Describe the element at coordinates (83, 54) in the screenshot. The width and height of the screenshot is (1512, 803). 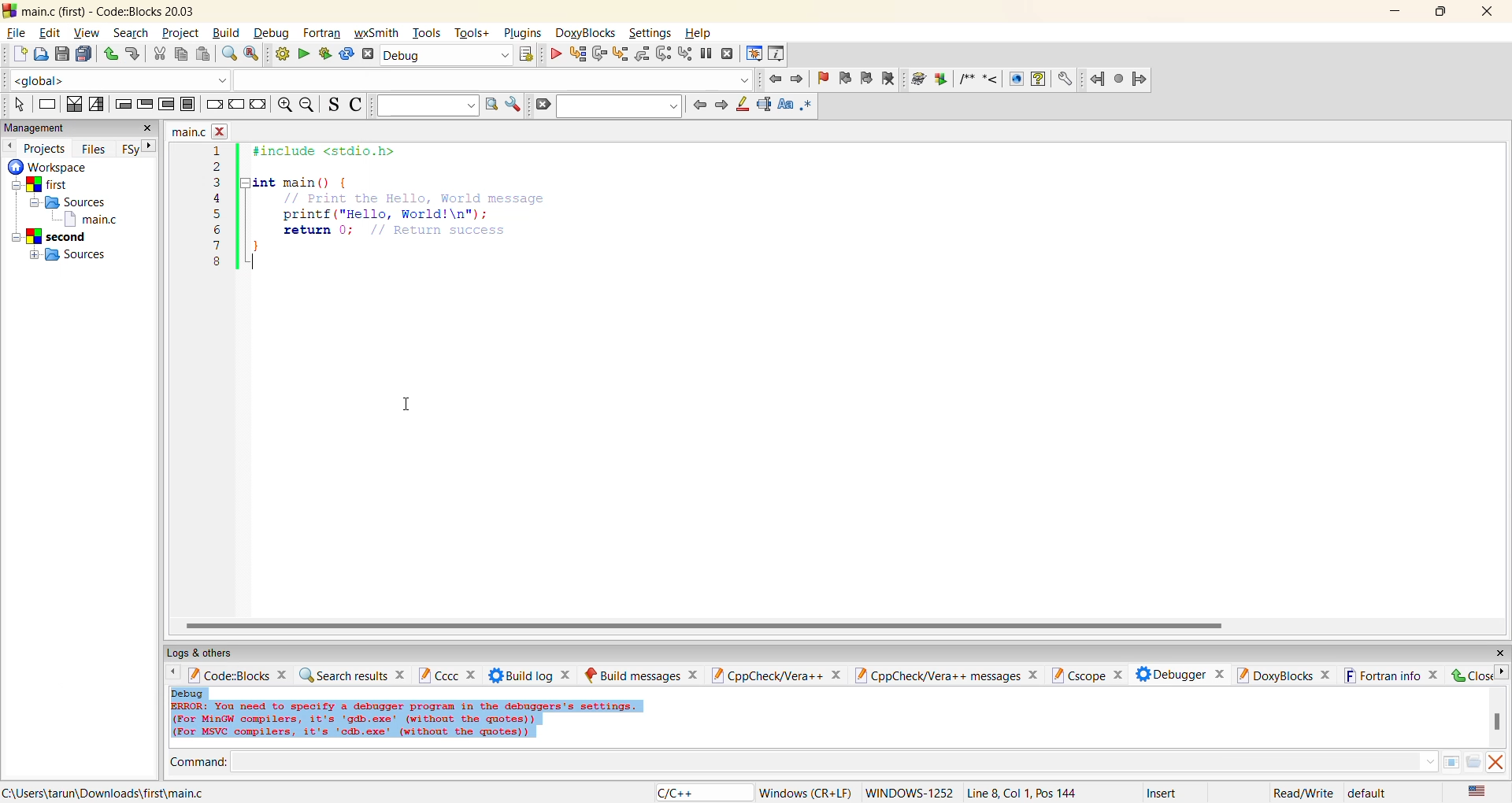
I see `save all` at that location.